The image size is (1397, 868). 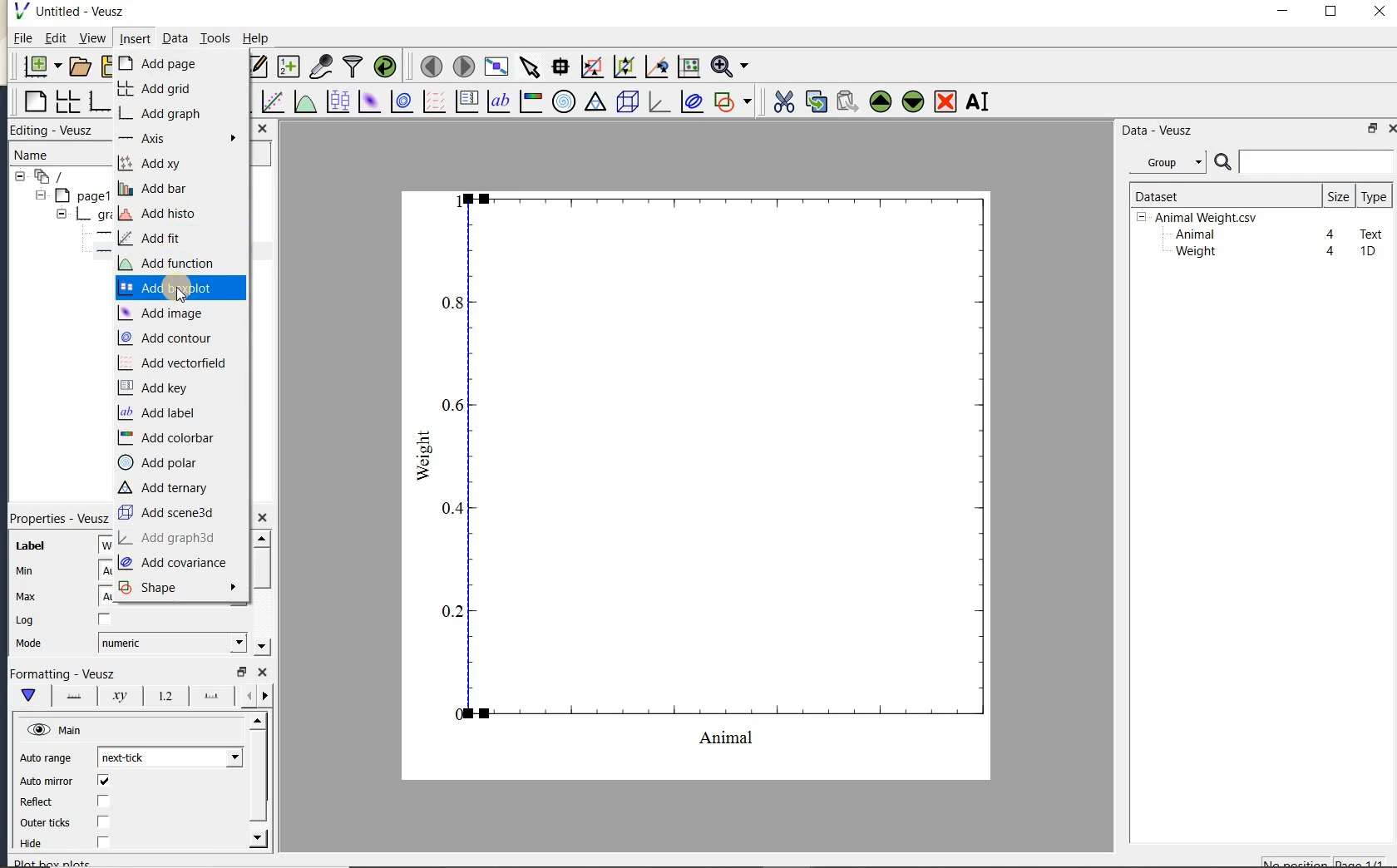 What do you see at coordinates (847, 103) in the screenshot?
I see `paste widget from the clipboard` at bounding box center [847, 103].